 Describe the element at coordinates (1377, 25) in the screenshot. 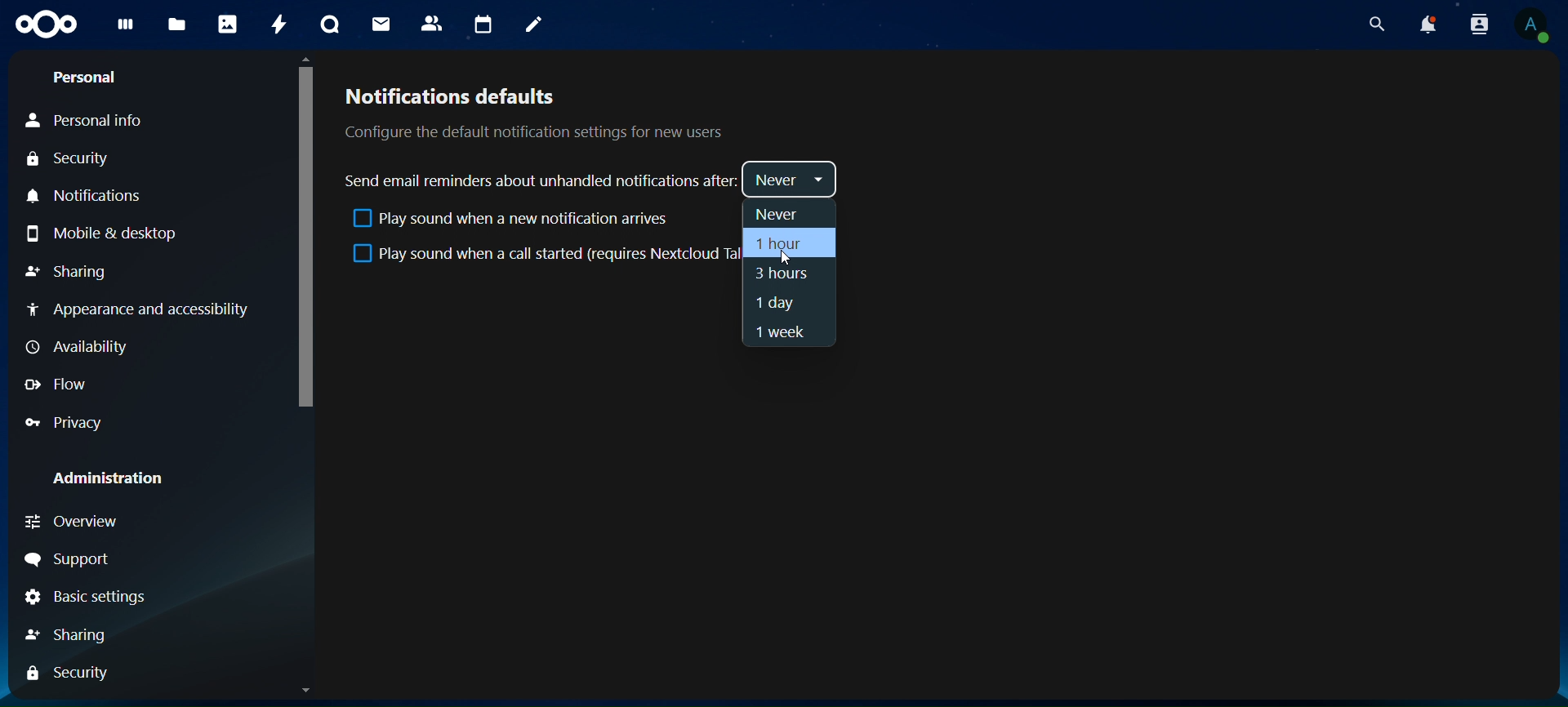

I see `search` at that location.